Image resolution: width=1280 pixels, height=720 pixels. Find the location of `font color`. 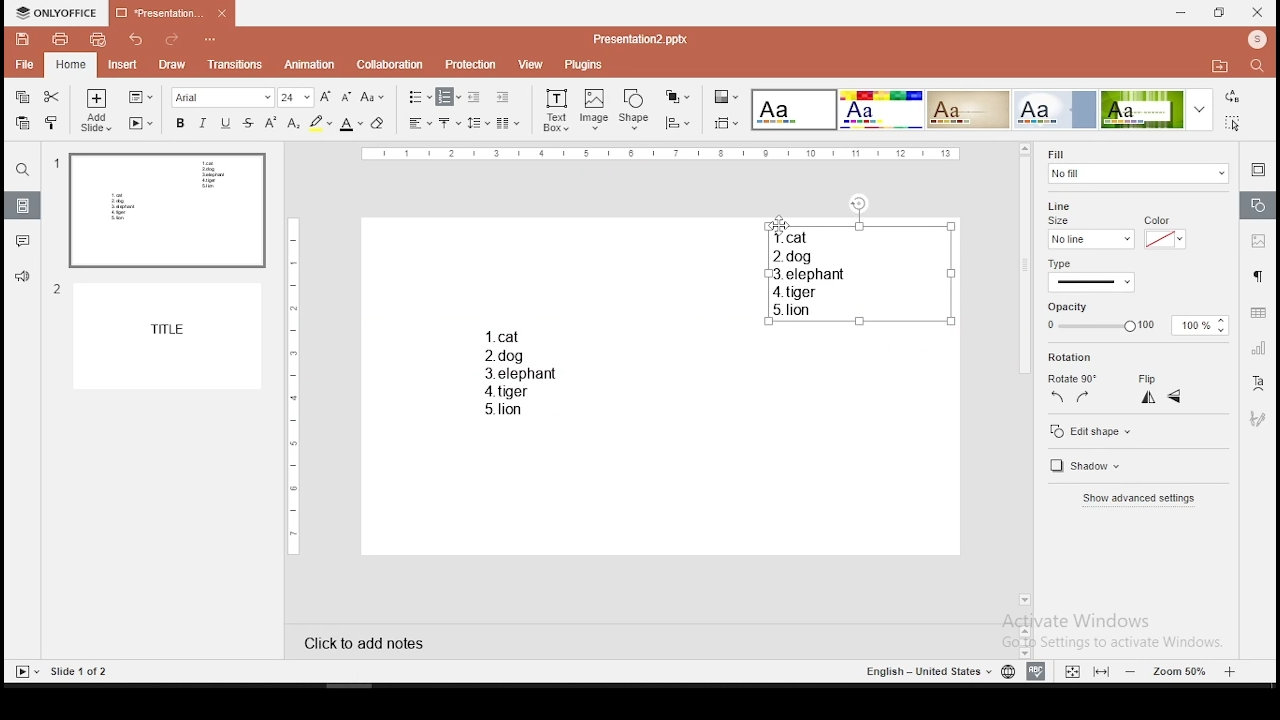

font color is located at coordinates (351, 123).